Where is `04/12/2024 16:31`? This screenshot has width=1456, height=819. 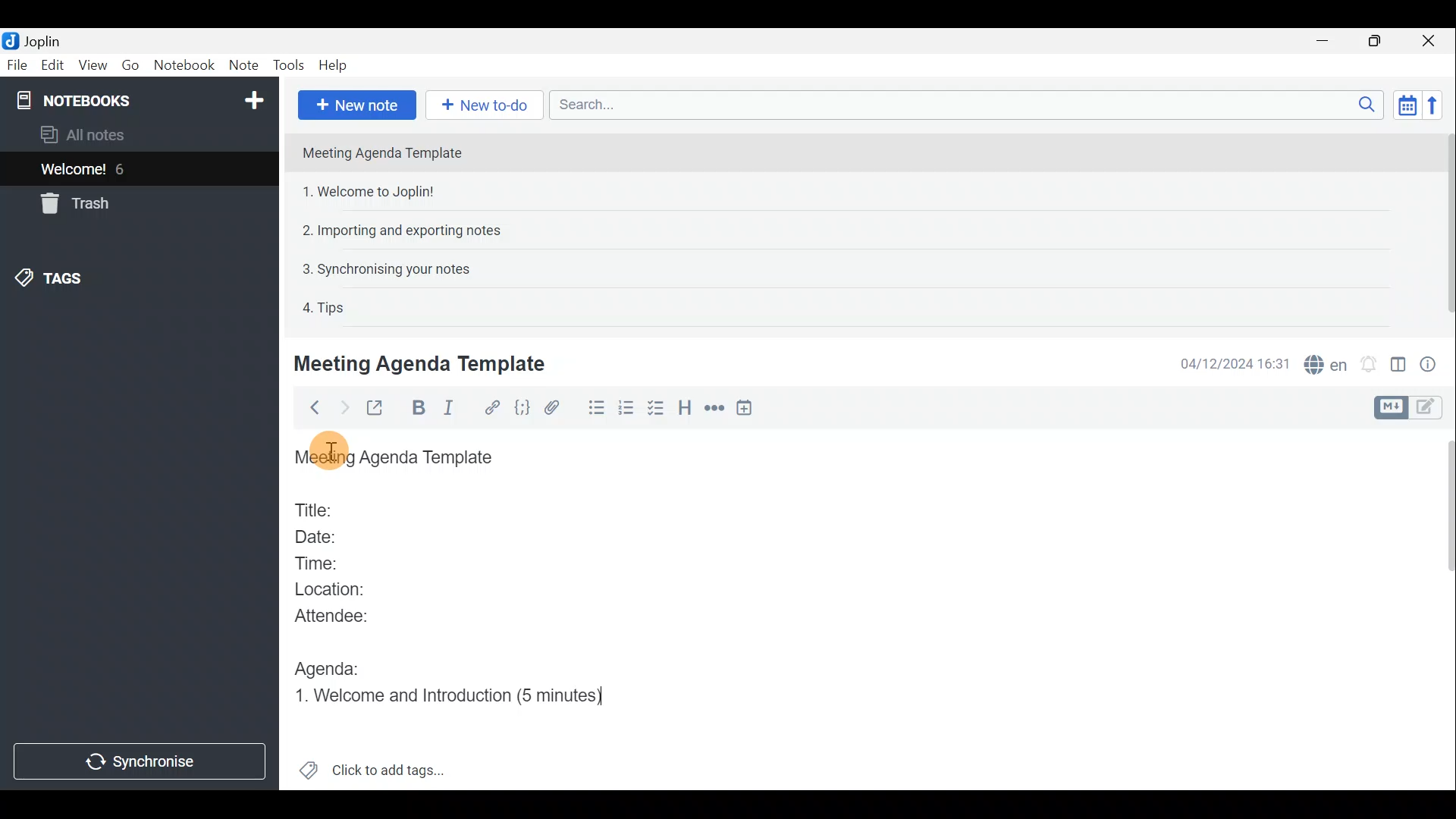
04/12/2024 16:31 is located at coordinates (1228, 362).